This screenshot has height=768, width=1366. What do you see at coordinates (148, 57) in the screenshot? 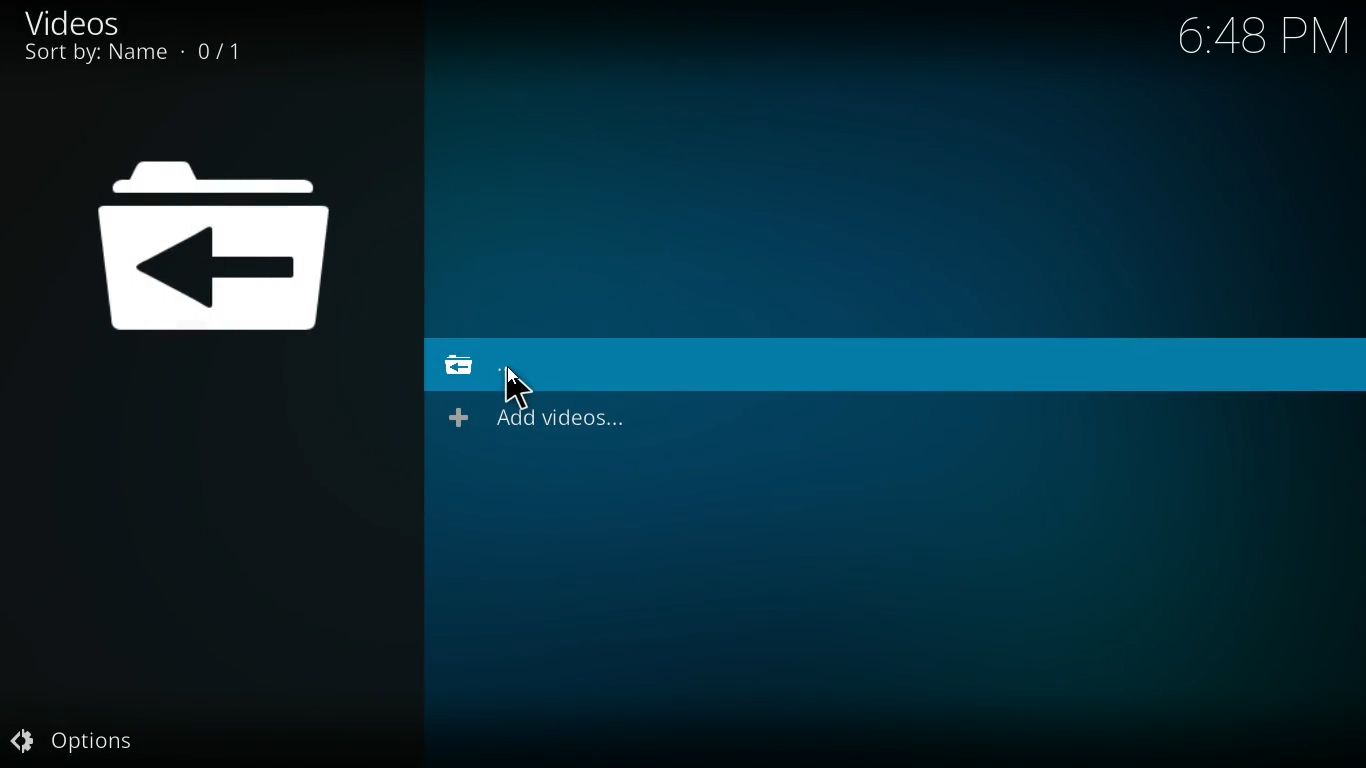
I see `sort by name` at bounding box center [148, 57].